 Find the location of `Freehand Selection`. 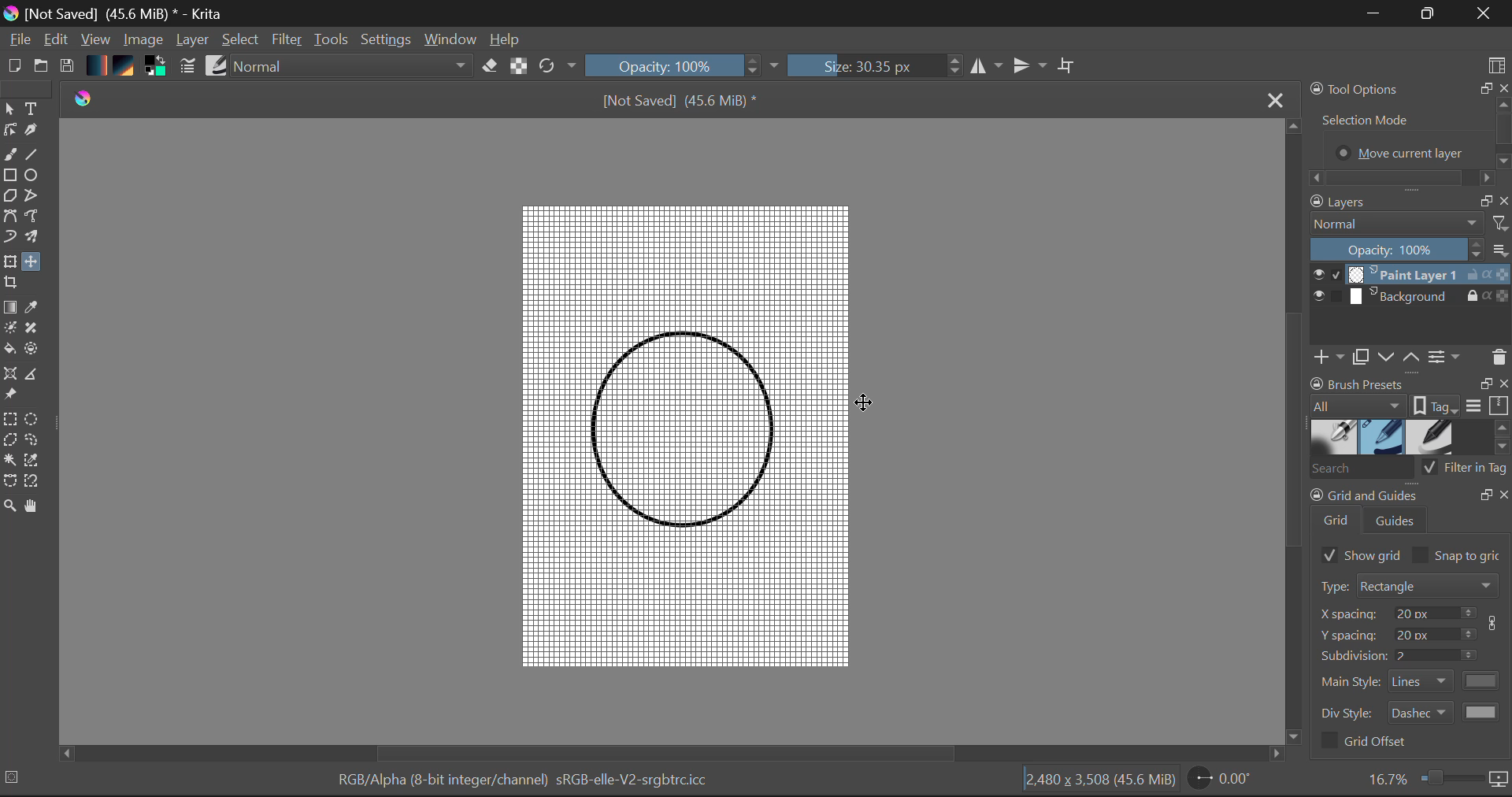

Freehand Selection is located at coordinates (34, 440).